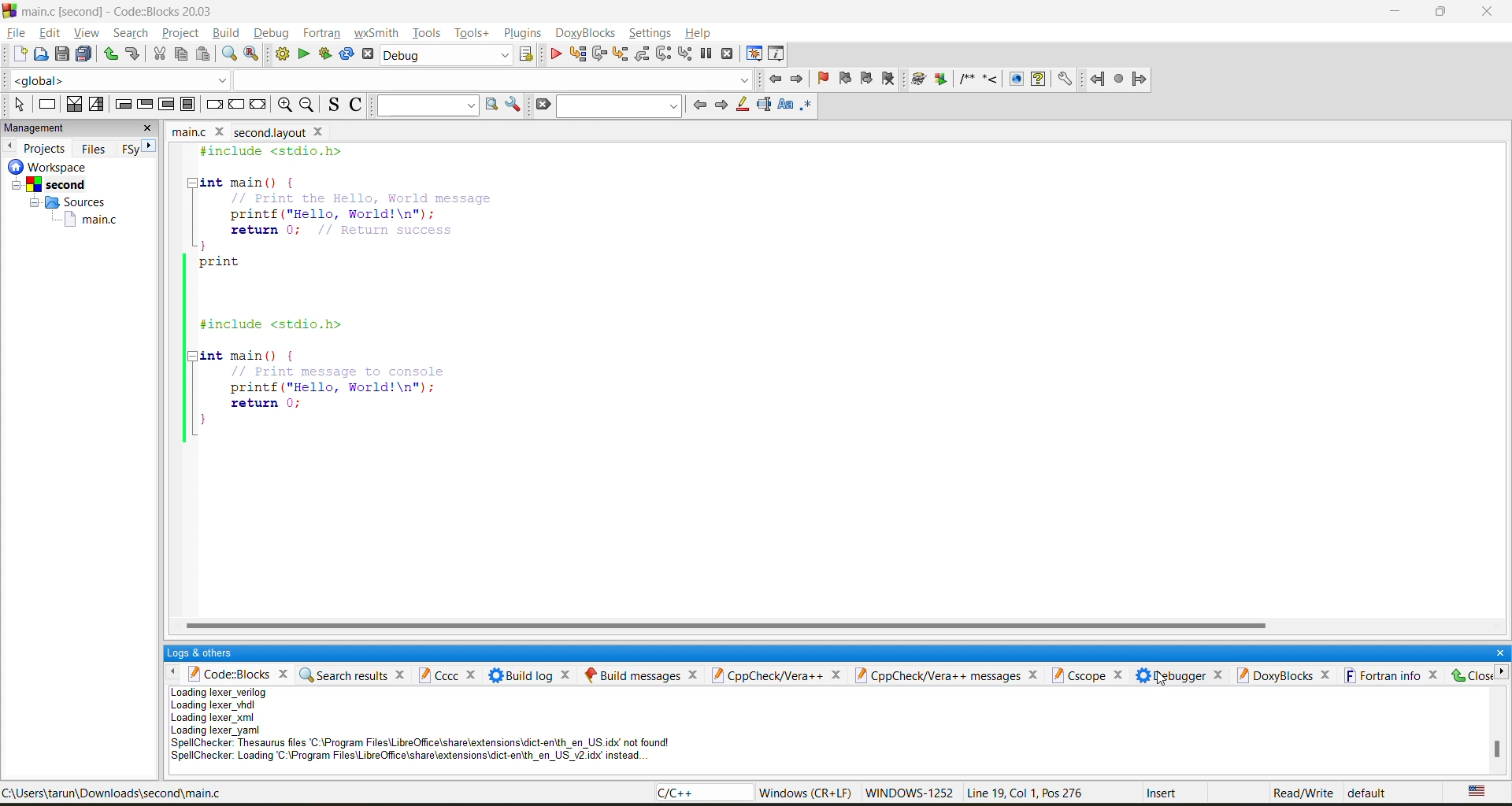  I want to click on various info, so click(780, 54).